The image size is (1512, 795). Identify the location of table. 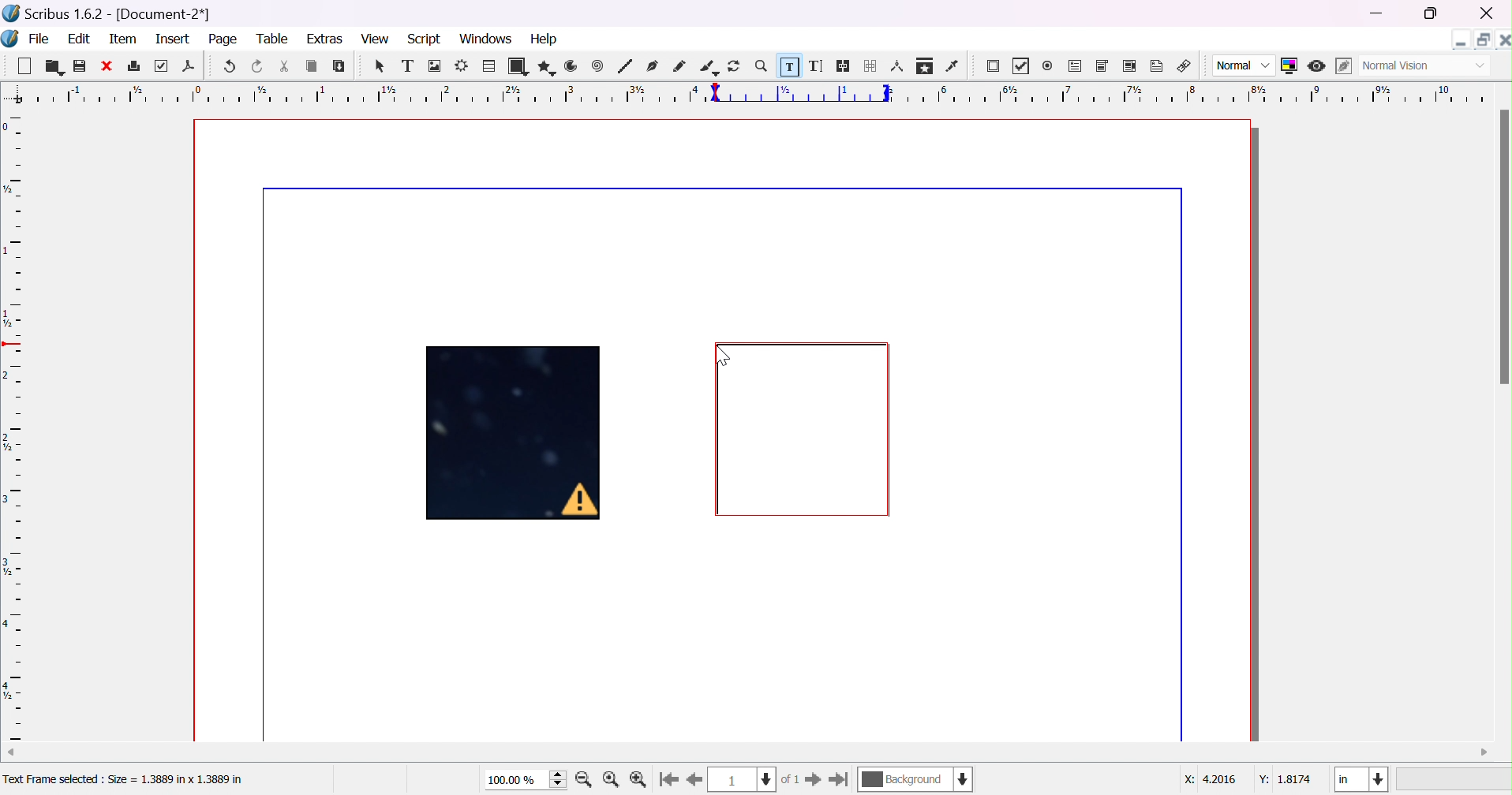
(275, 39).